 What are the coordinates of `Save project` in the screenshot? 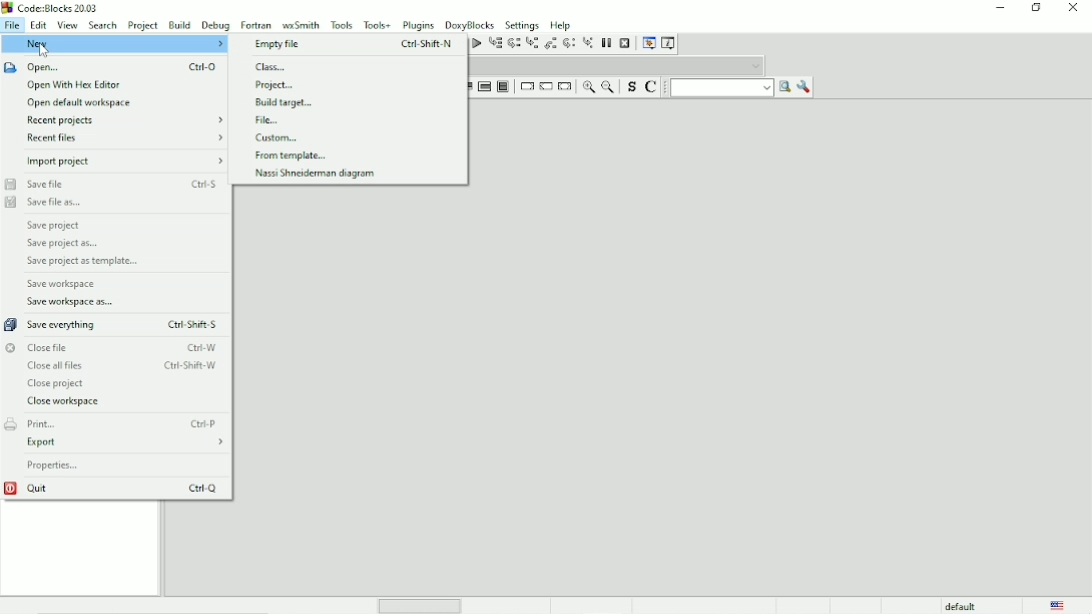 It's located at (56, 225).